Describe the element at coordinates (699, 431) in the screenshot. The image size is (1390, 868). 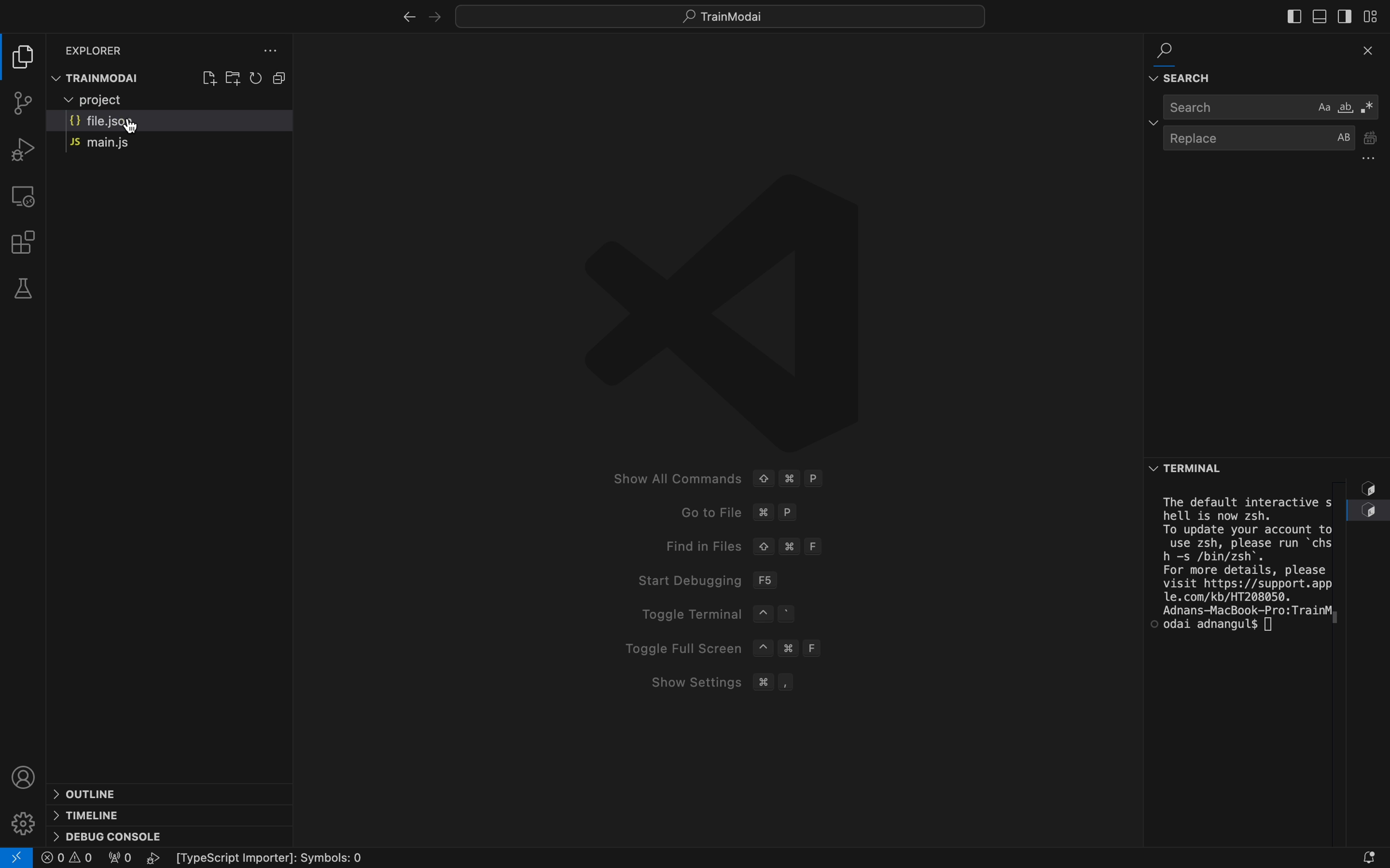
I see `Show All Commands © %¥ P
Goto File %# P
Find in Files © %# F
Start Debugging F5
Toggle Terminal ~ °
Toggle Full Screen ~ # F
Show Settings # ,` at that location.